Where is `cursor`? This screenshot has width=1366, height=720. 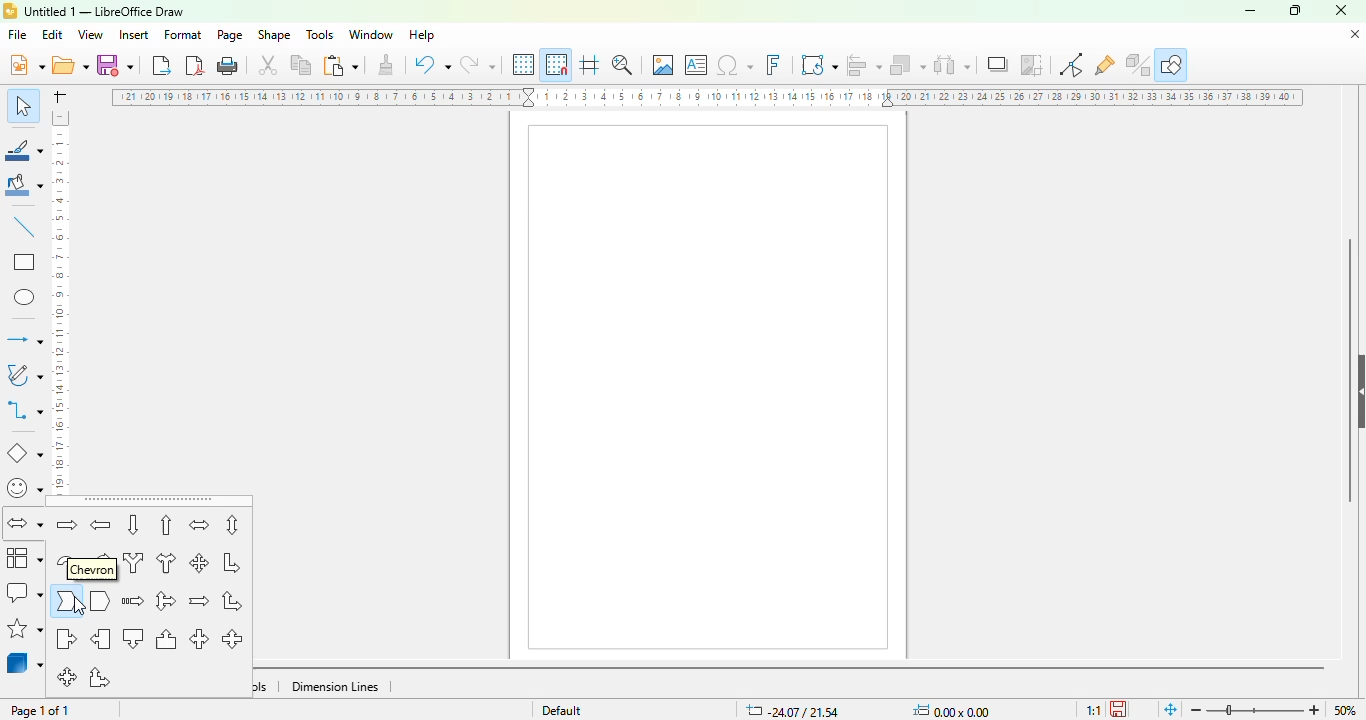 cursor is located at coordinates (79, 605).